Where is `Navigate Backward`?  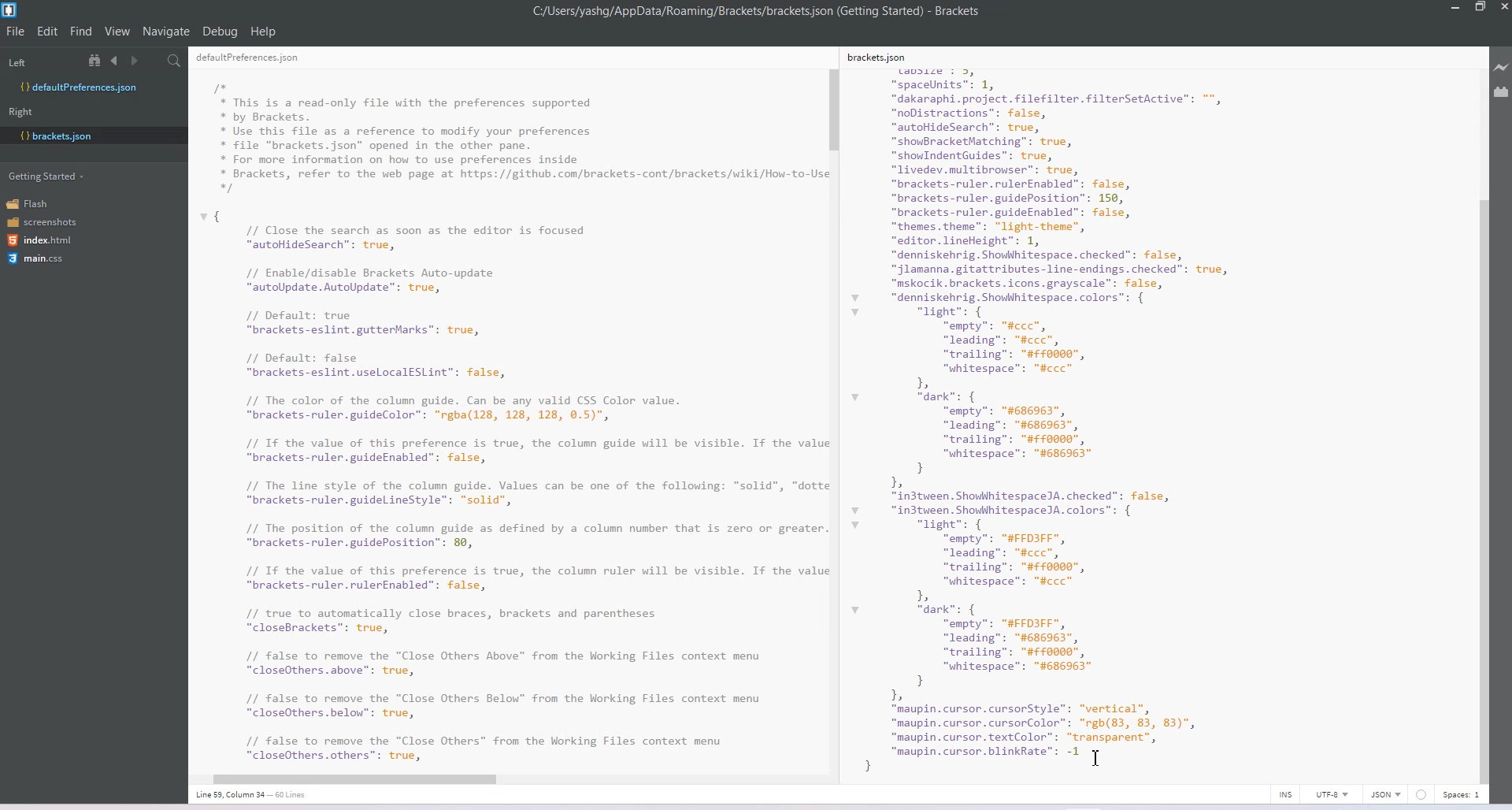
Navigate Backward is located at coordinates (117, 60).